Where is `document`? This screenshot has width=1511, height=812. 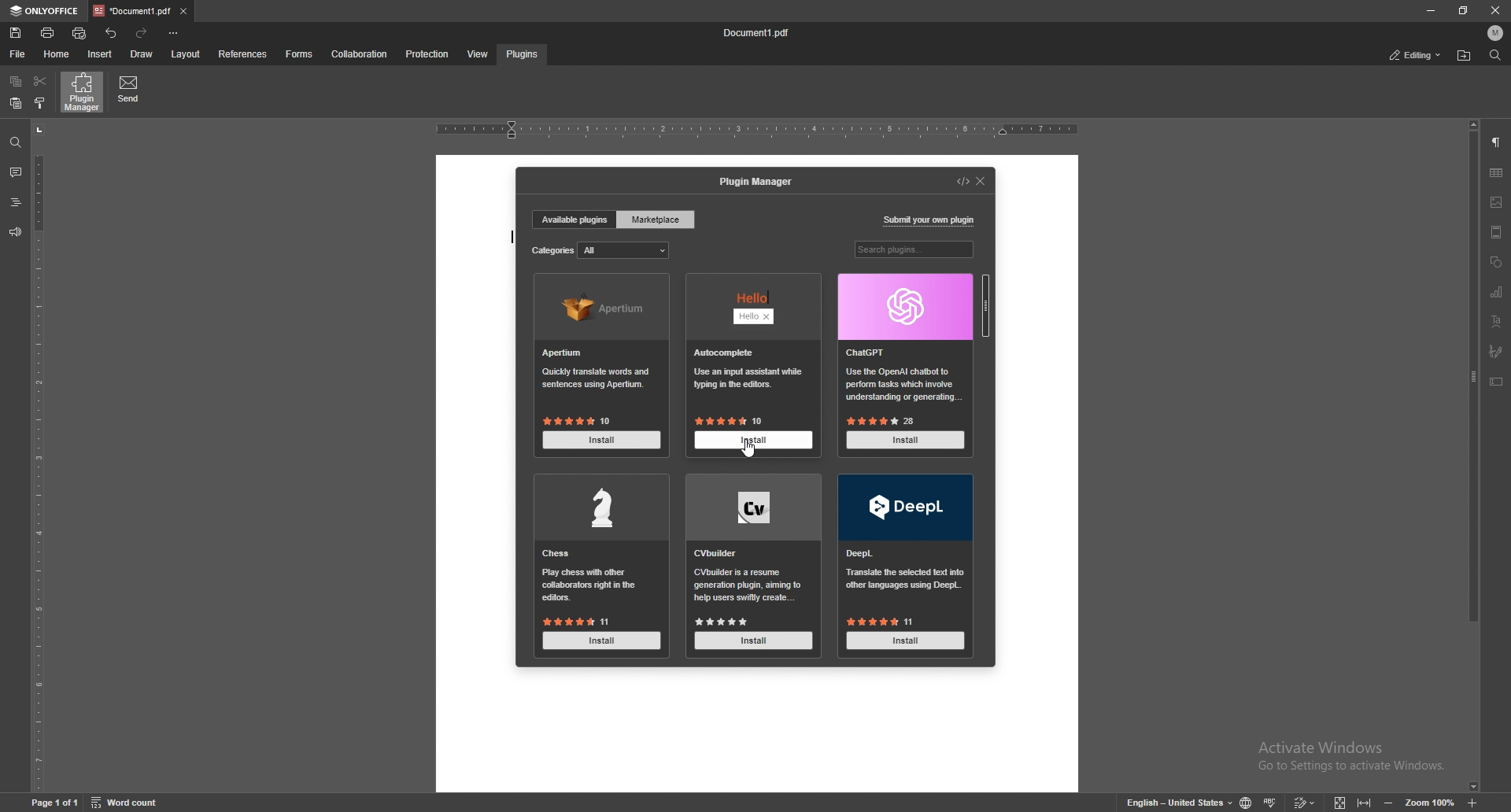 document is located at coordinates (476, 474).